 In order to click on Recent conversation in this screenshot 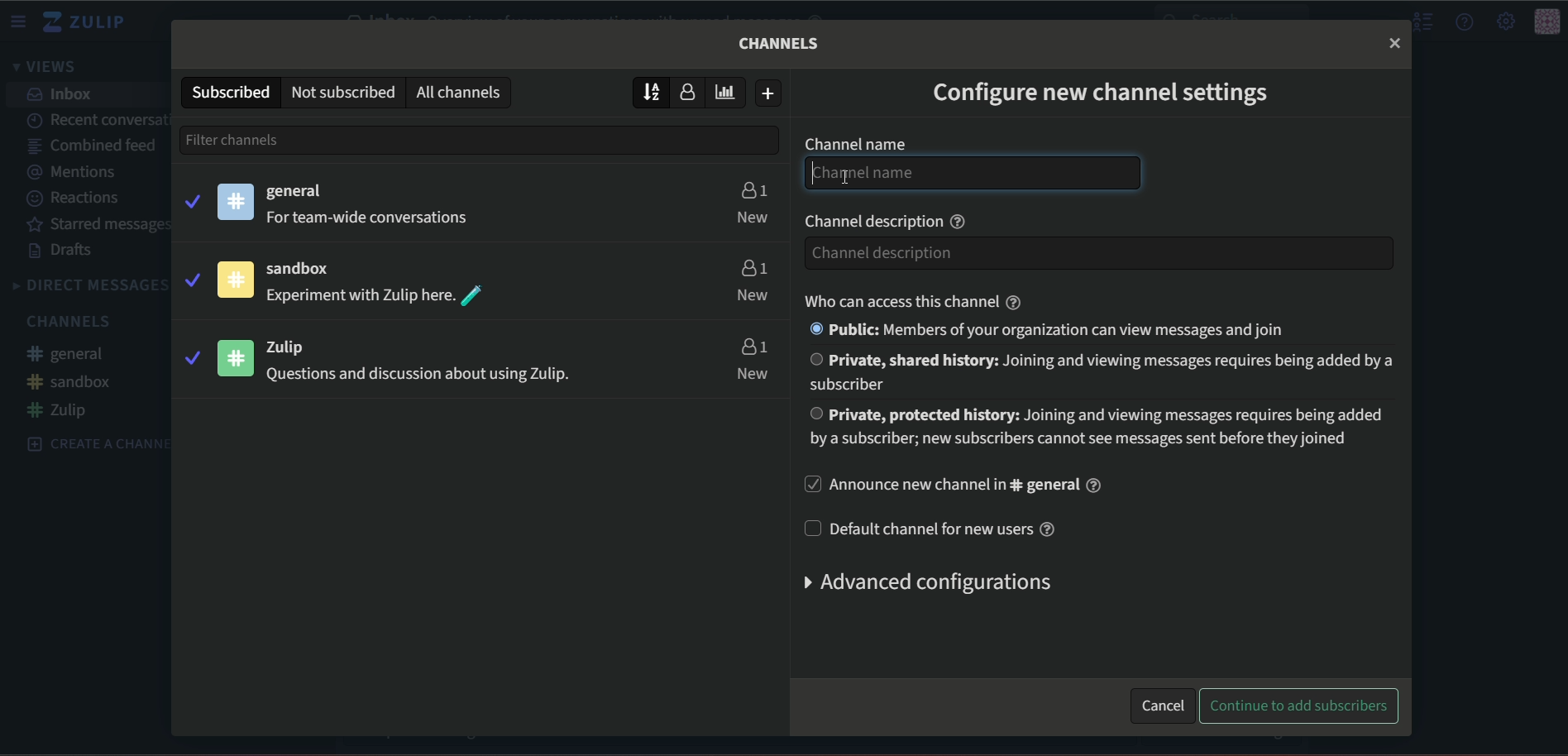, I will do `click(94, 117)`.